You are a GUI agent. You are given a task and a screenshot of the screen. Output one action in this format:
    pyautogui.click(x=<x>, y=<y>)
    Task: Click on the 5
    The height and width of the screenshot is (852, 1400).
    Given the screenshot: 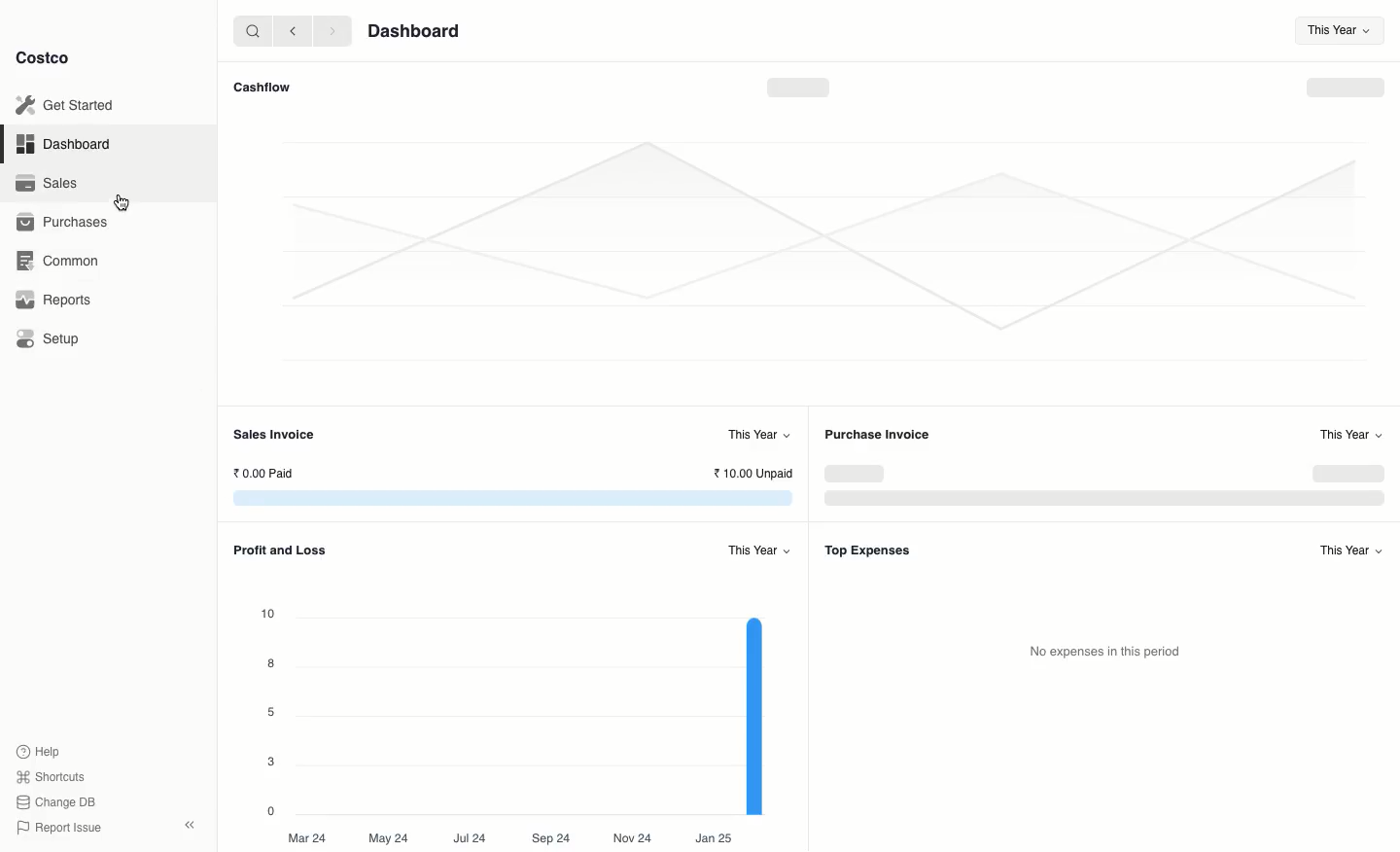 What is the action you would take?
    pyautogui.click(x=271, y=711)
    